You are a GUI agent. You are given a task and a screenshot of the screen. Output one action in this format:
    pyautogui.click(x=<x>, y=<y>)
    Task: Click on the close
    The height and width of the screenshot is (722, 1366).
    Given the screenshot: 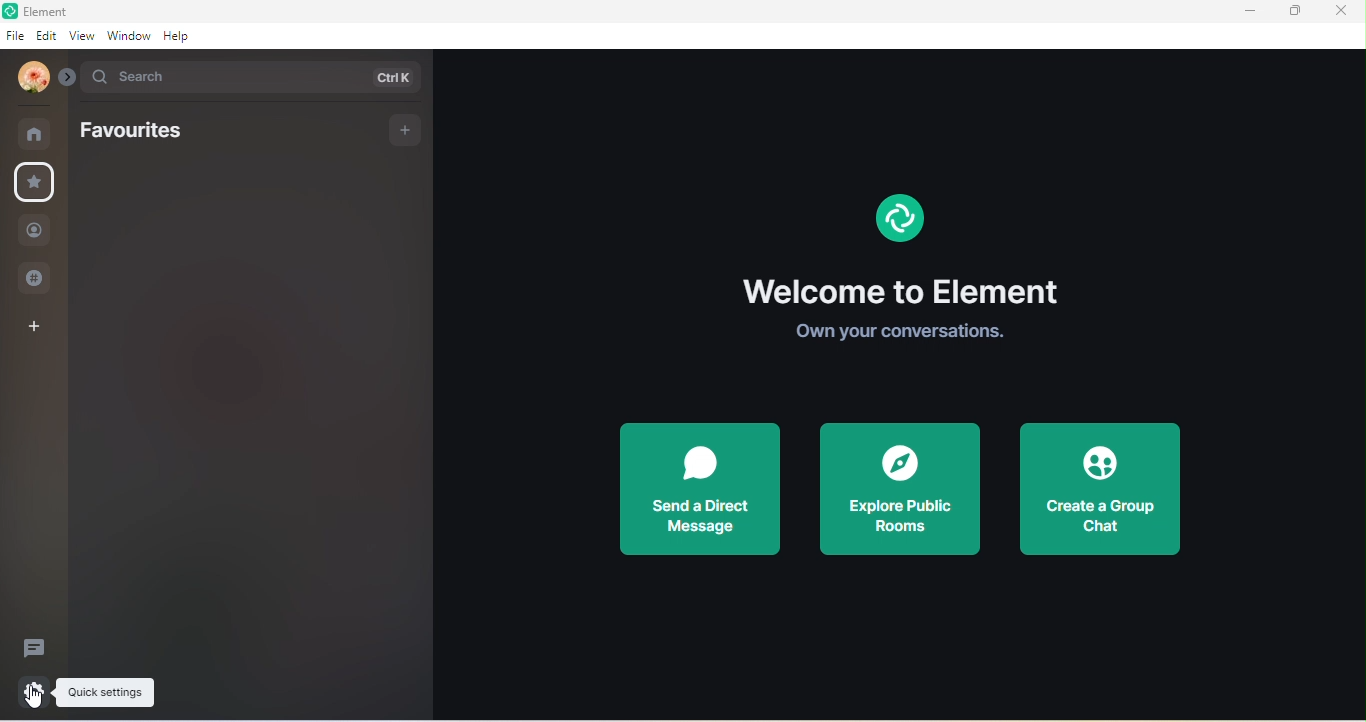 What is the action you would take?
    pyautogui.click(x=1341, y=11)
    